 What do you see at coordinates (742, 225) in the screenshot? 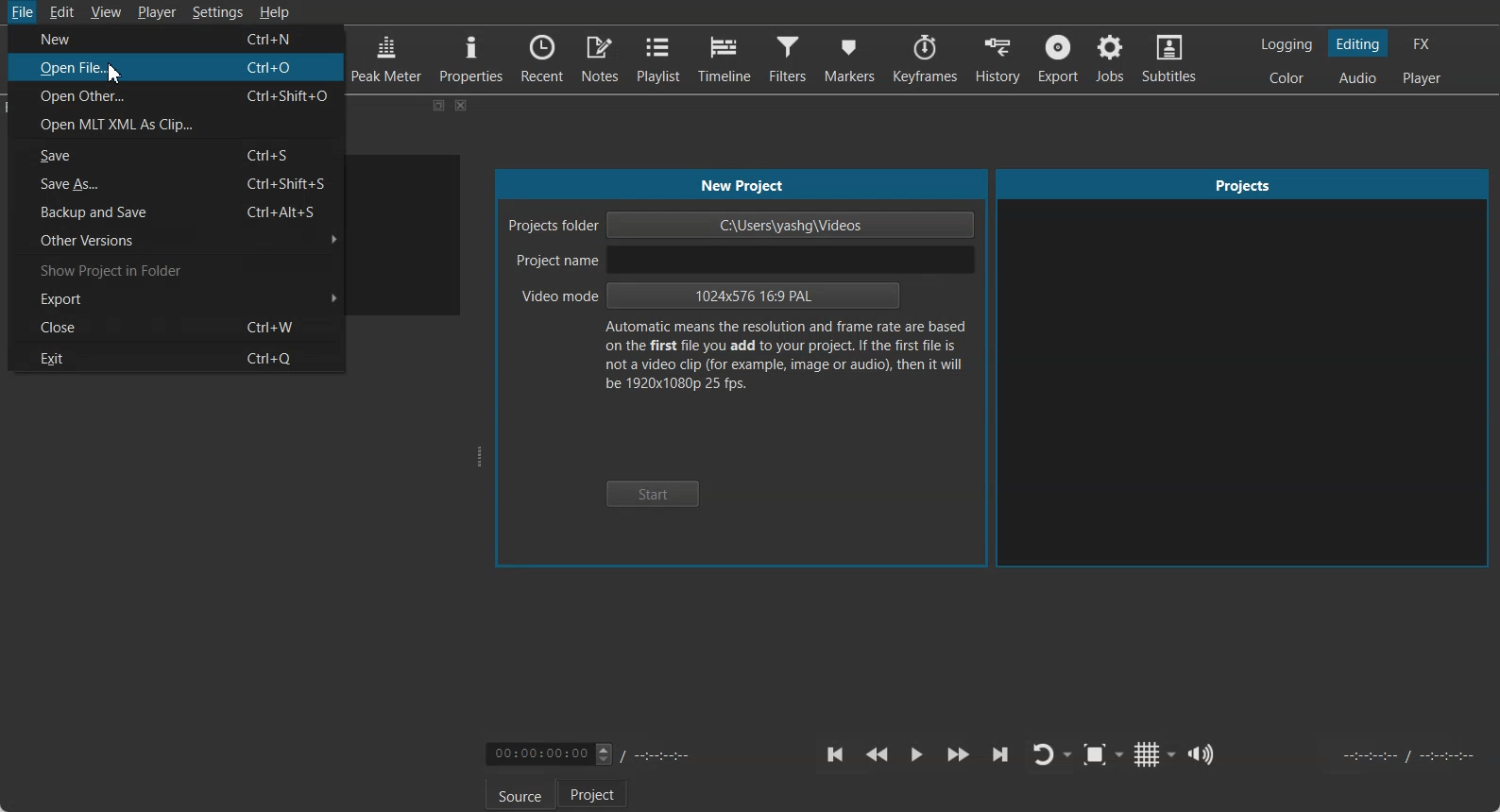
I see `Project folder` at bounding box center [742, 225].